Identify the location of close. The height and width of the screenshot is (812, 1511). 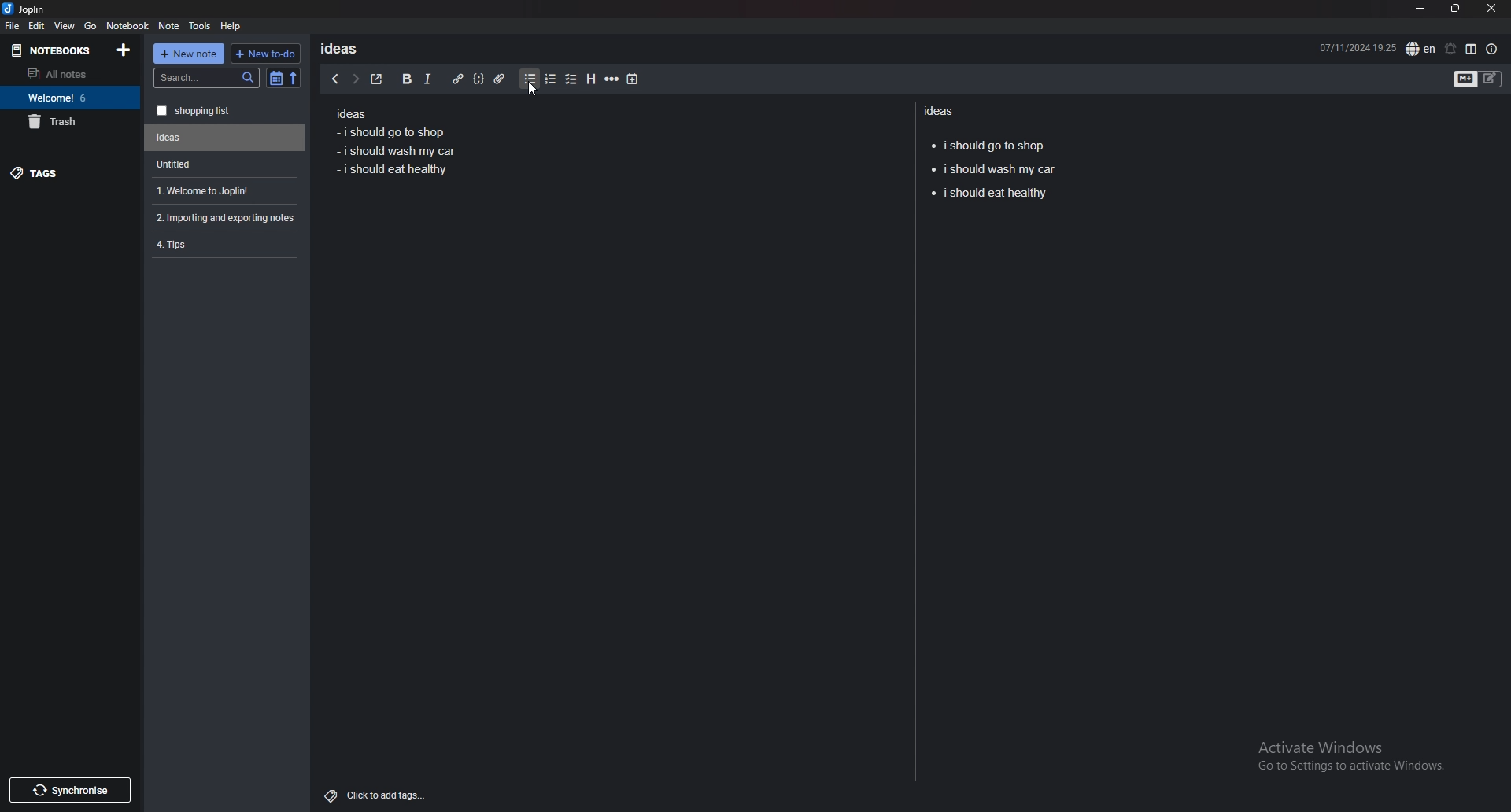
(1491, 9).